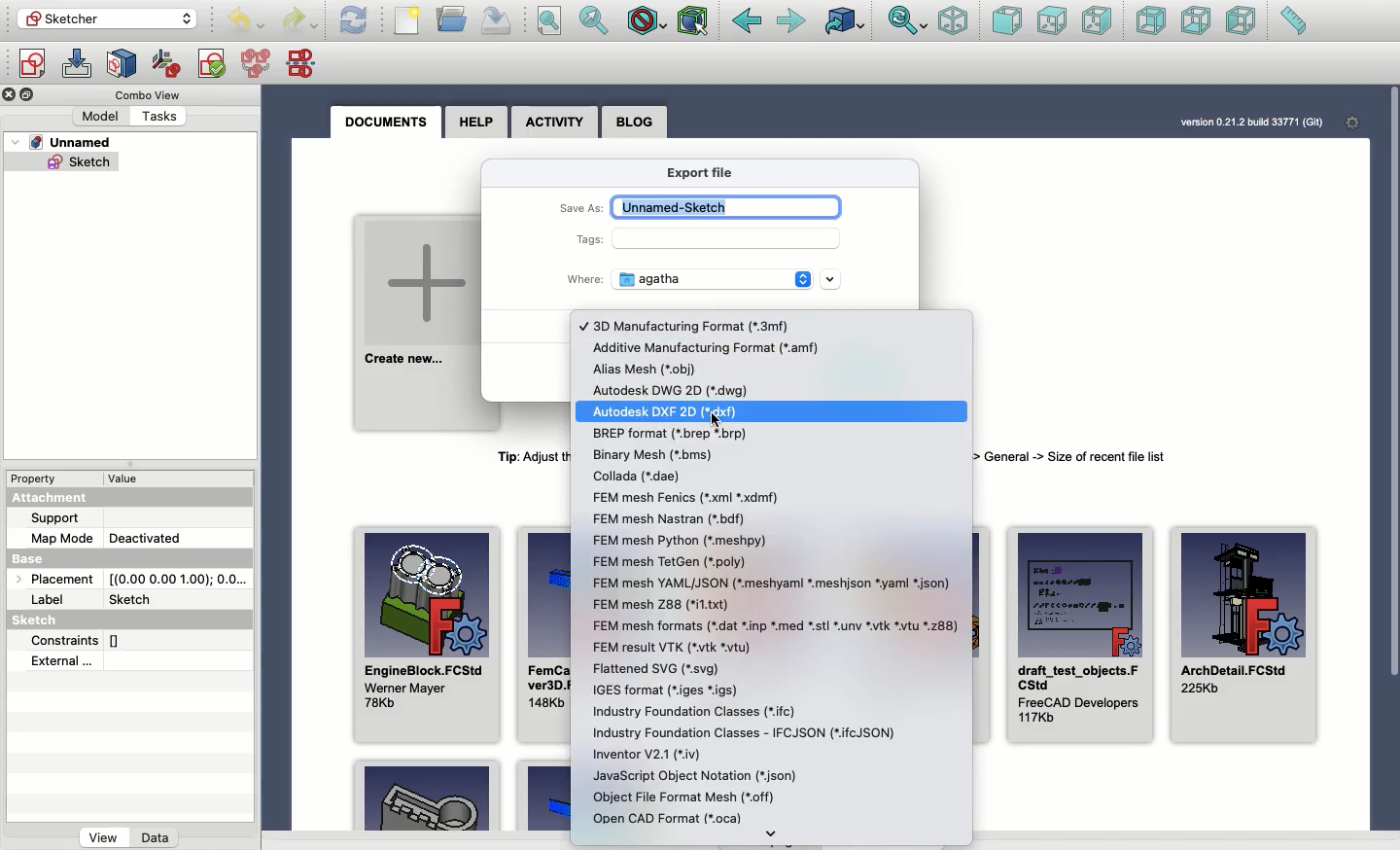  I want to click on Placement [(0.00 0.00 1.00); 0.0..., so click(136, 582).